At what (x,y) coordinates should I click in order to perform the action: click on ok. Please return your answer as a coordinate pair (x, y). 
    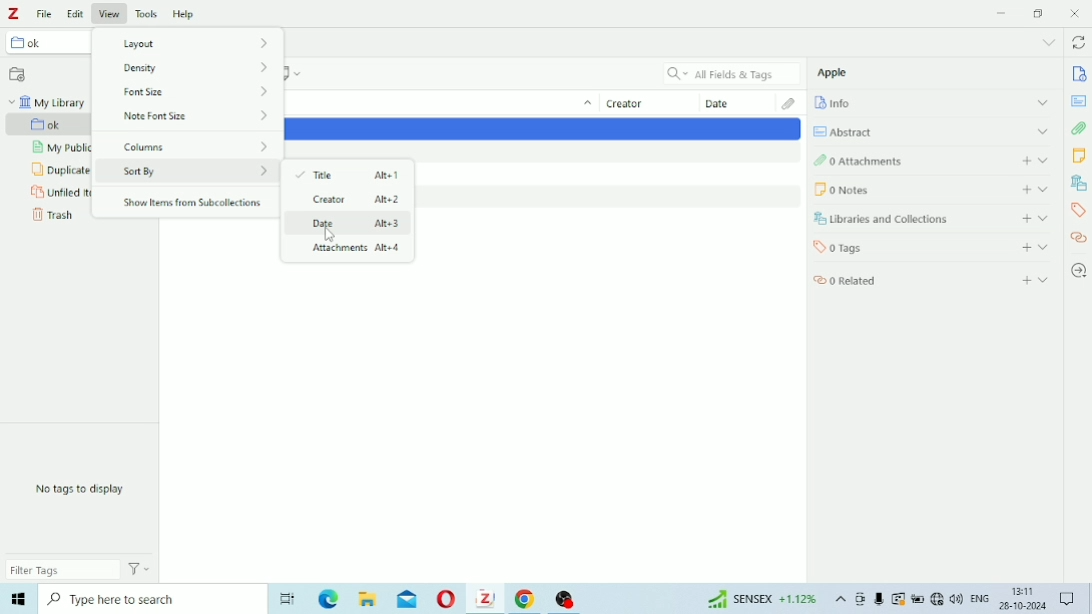
    Looking at the image, I should click on (46, 44).